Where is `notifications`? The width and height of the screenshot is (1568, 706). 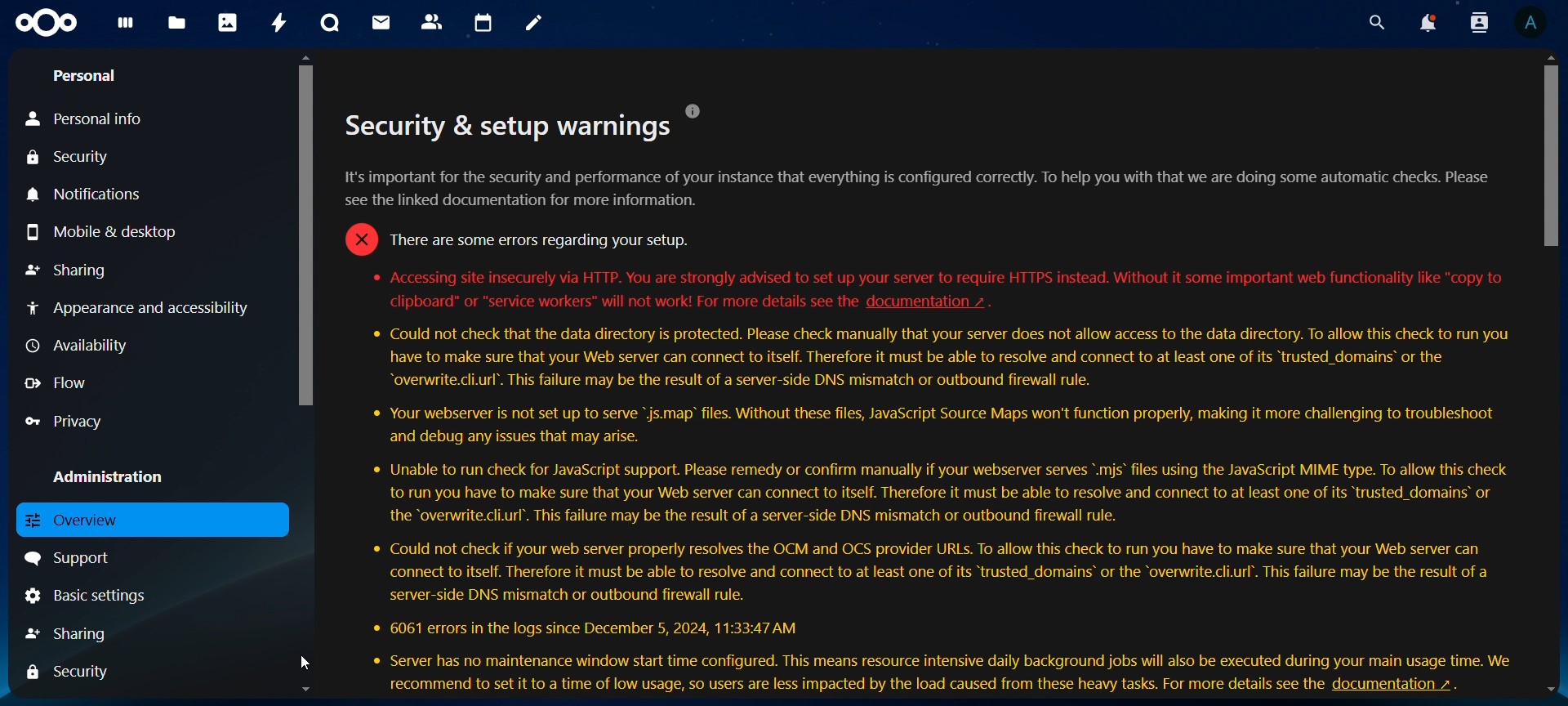 notifications is located at coordinates (1428, 23).